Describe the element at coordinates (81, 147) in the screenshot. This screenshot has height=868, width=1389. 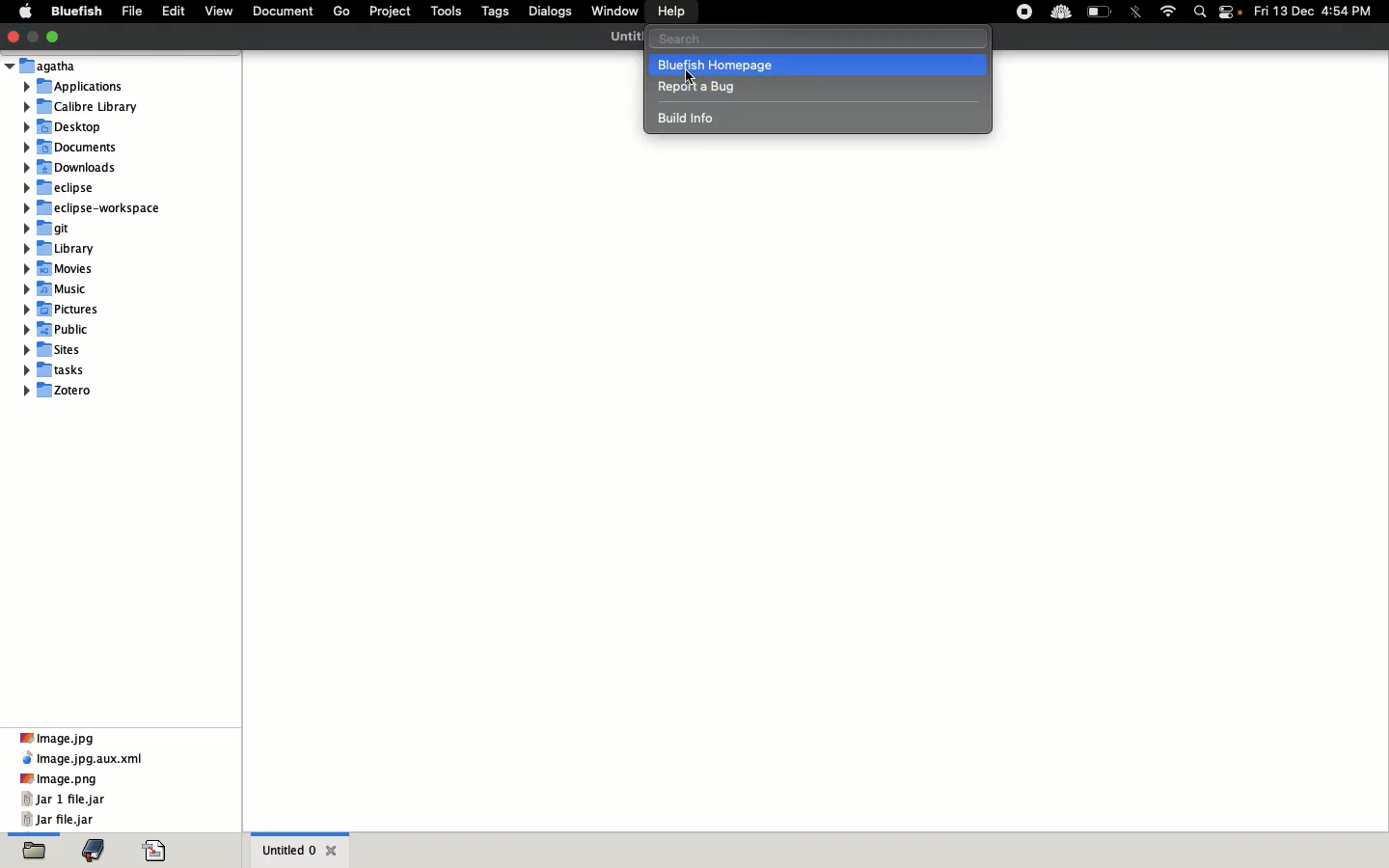
I see `documents` at that location.